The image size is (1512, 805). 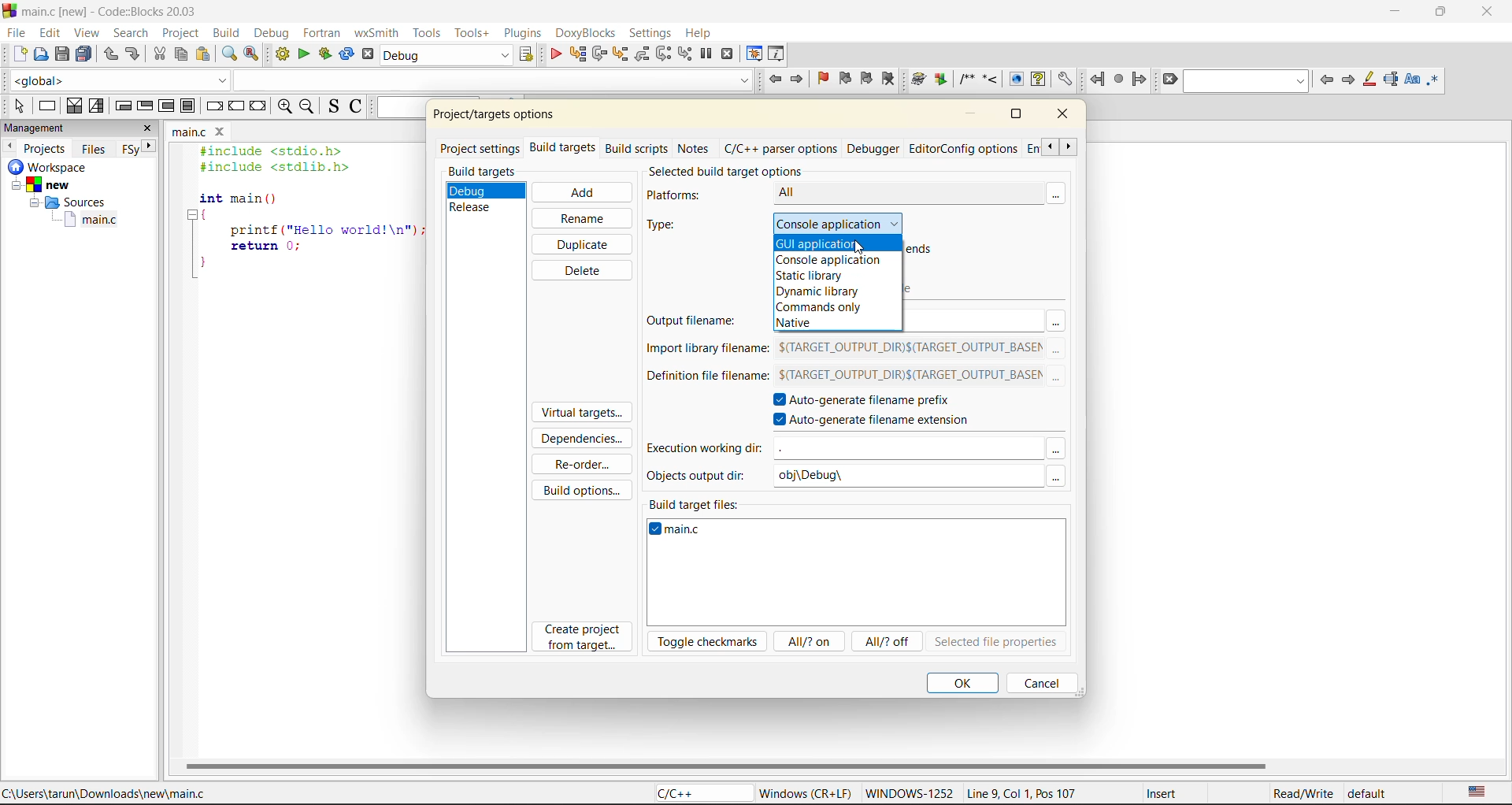 I want to click on release, so click(x=480, y=207).